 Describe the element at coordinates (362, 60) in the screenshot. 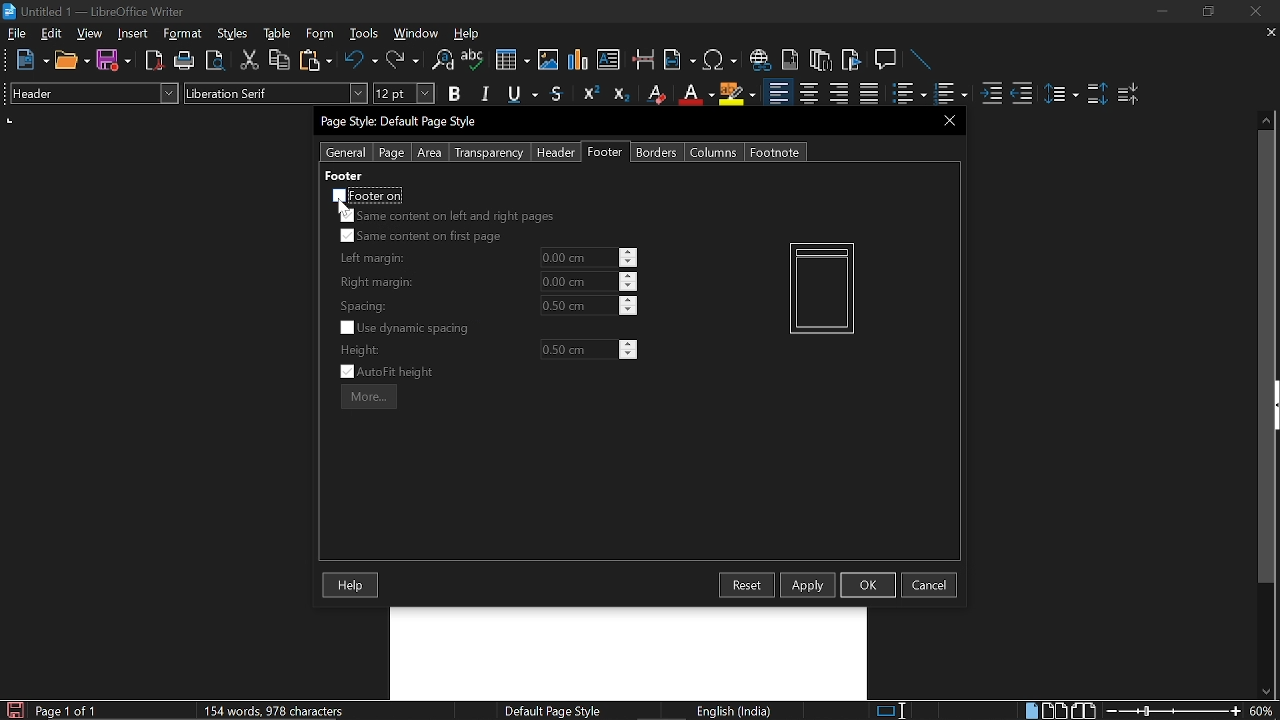

I see `Undo` at that location.